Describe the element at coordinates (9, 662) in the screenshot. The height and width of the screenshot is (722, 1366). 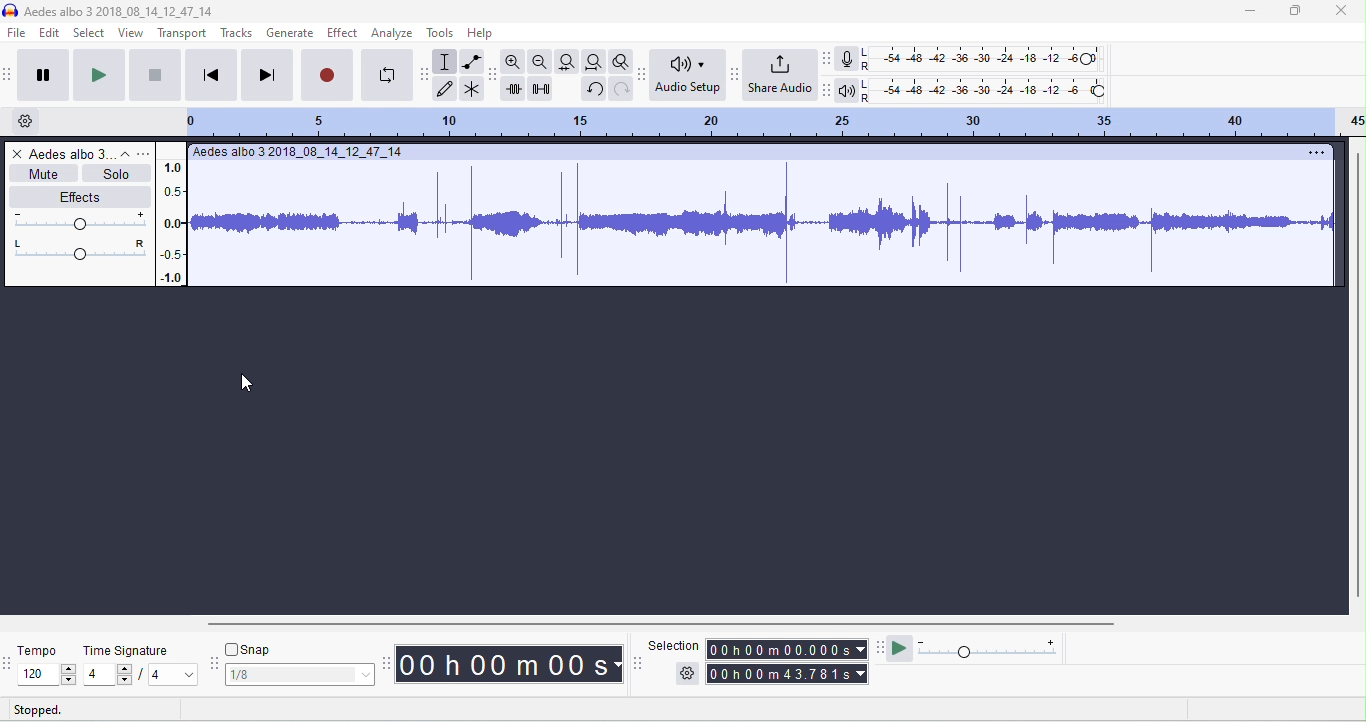
I see `tempo toolbar` at that location.